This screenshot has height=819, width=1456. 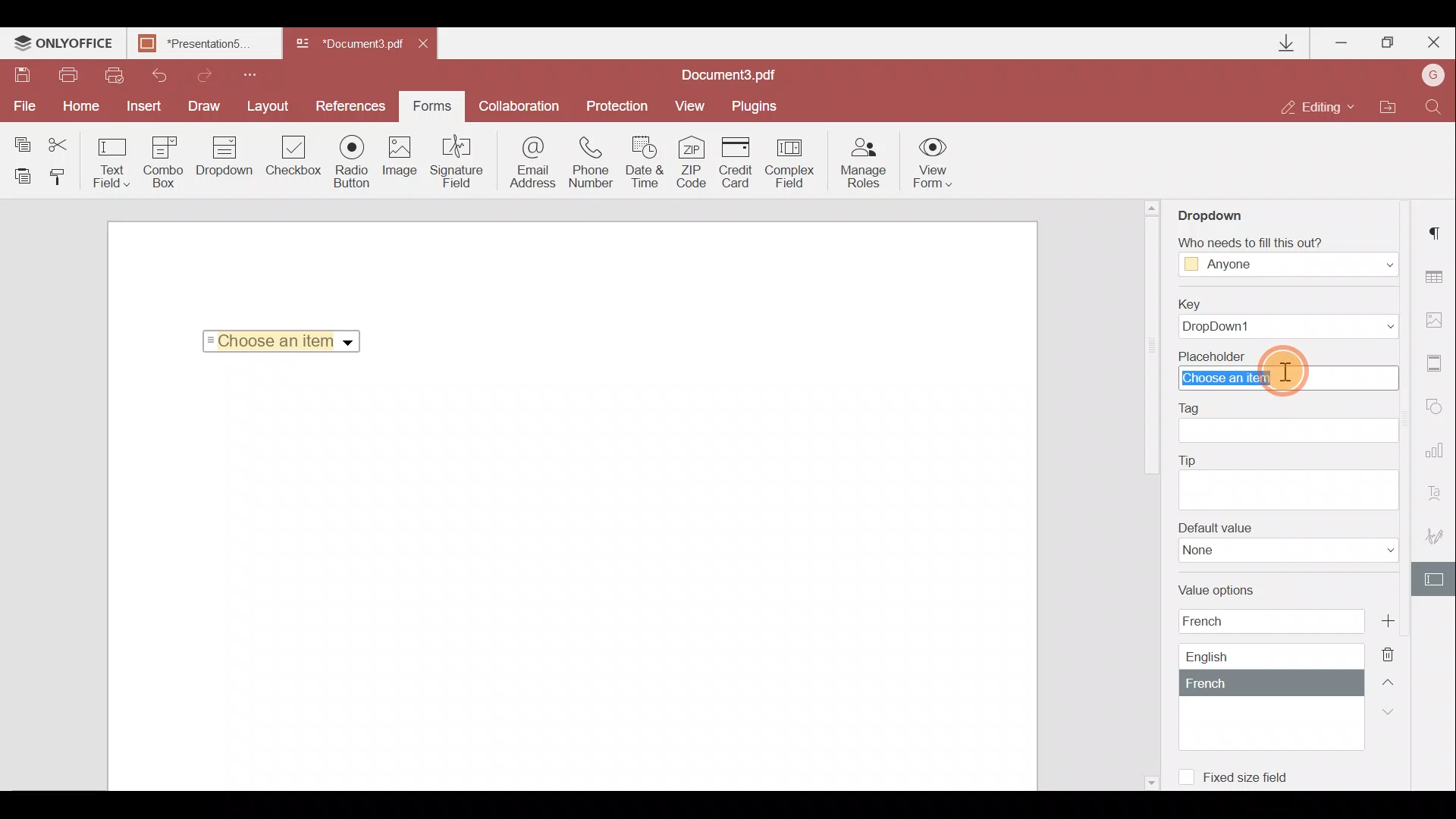 What do you see at coordinates (1150, 348) in the screenshot?
I see `scroll bar` at bounding box center [1150, 348].